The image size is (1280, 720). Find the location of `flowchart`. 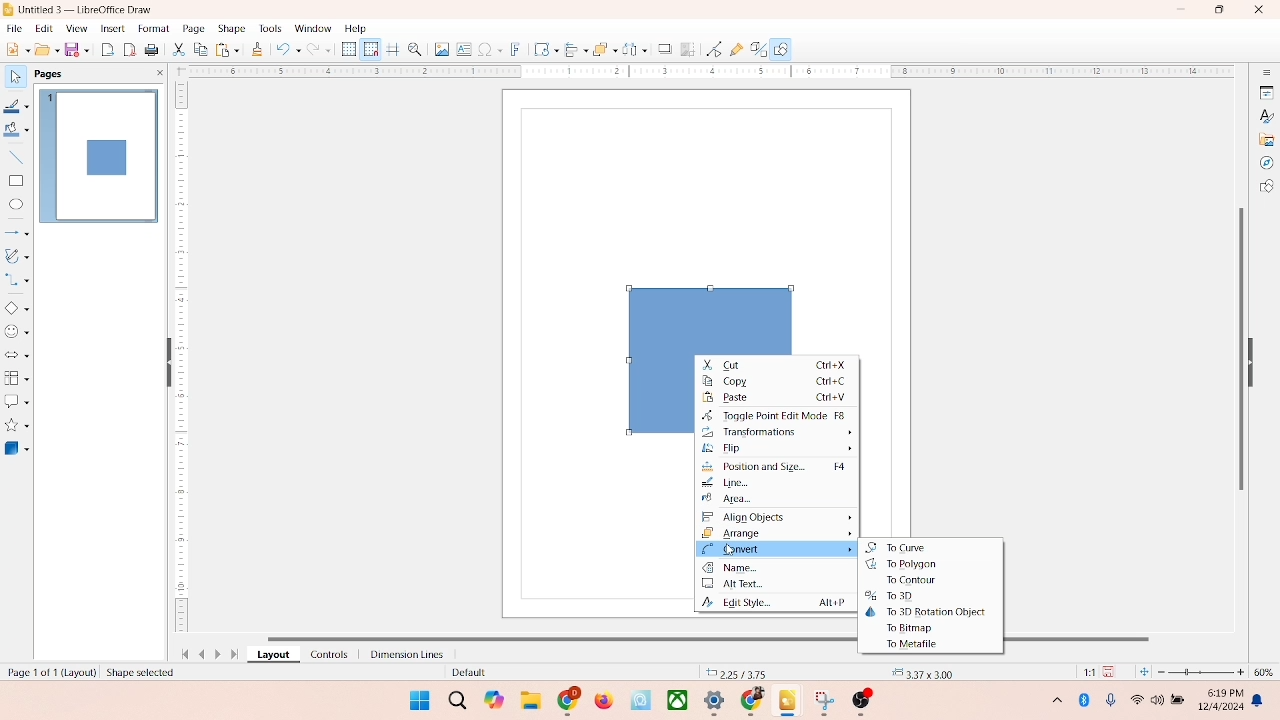

flowchart is located at coordinates (16, 378).